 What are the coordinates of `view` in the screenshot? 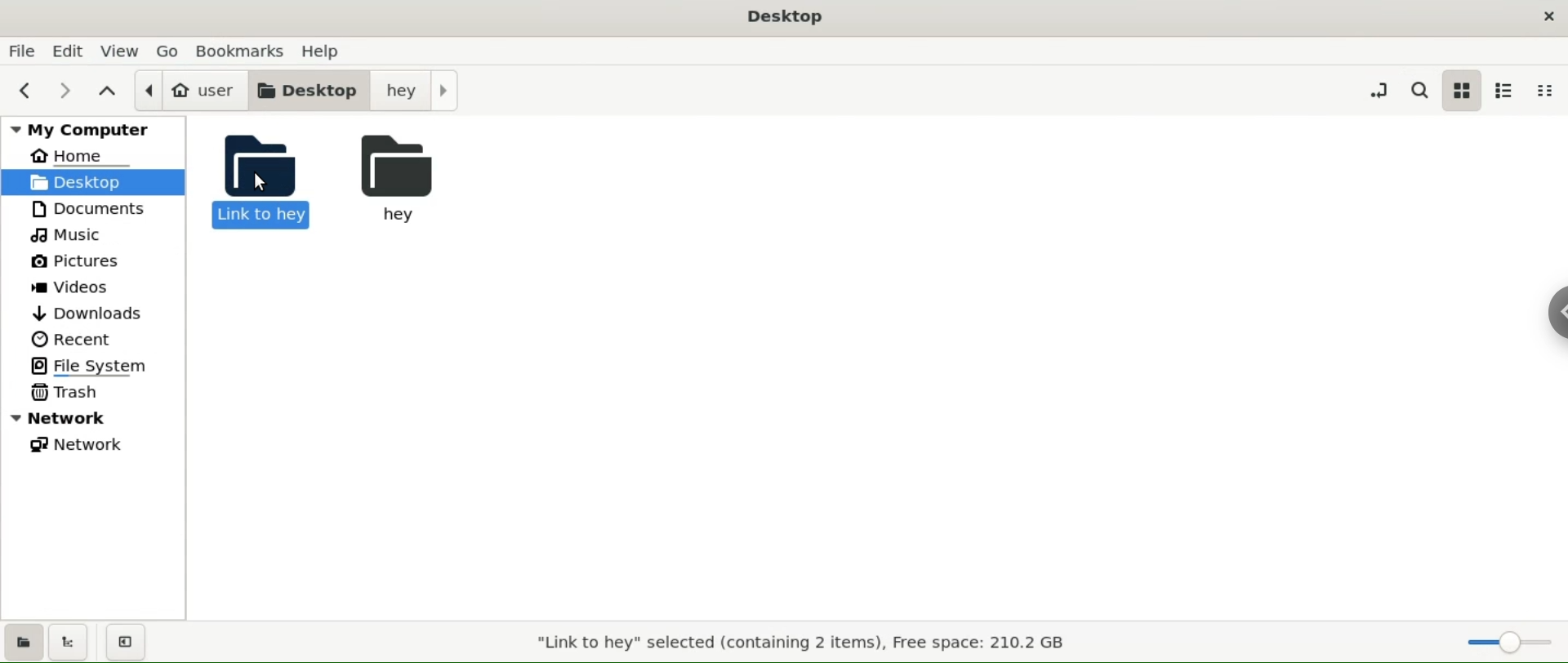 It's located at (122, 51).